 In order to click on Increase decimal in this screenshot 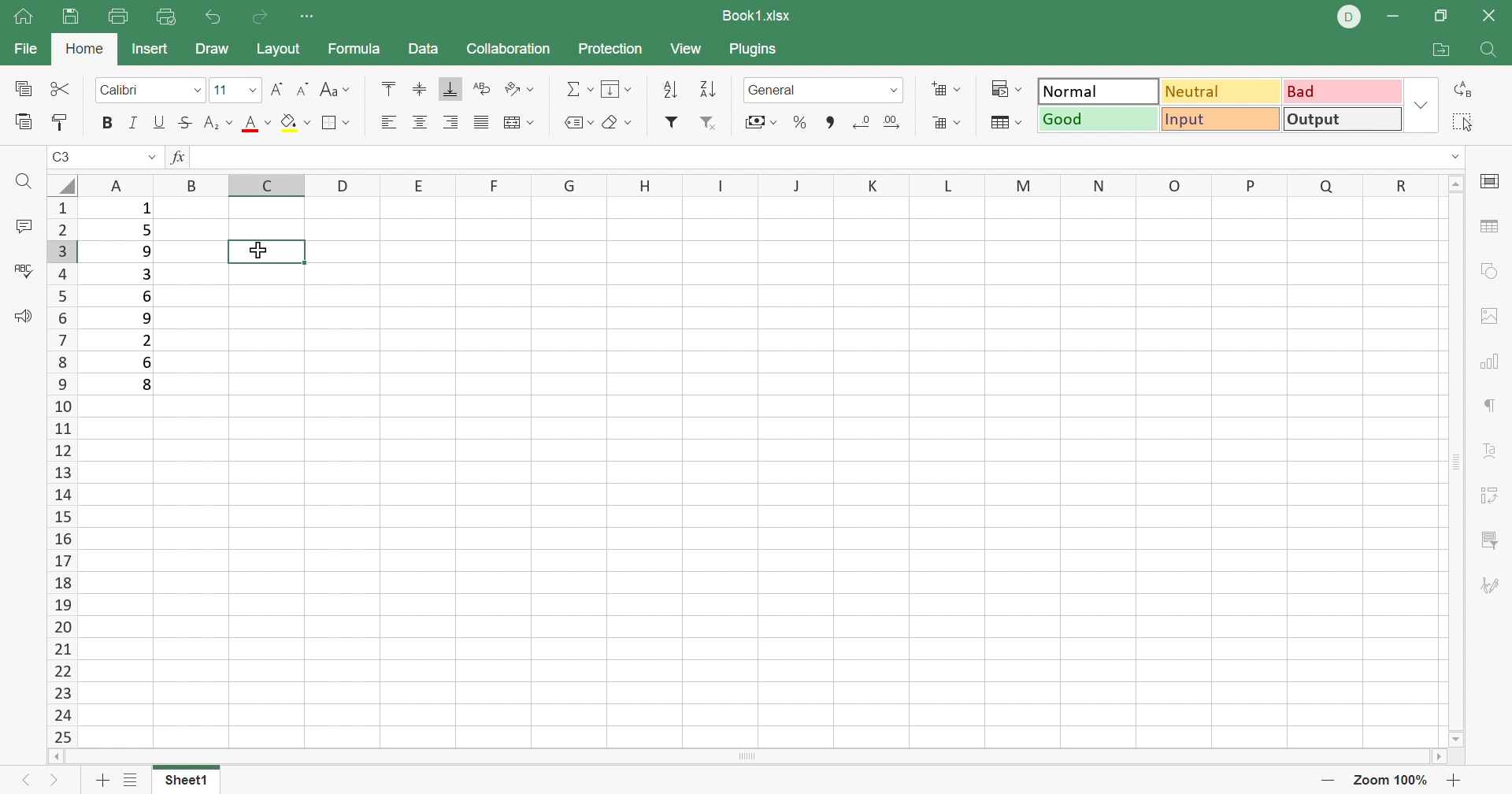, I will do `click(894, 121)`.